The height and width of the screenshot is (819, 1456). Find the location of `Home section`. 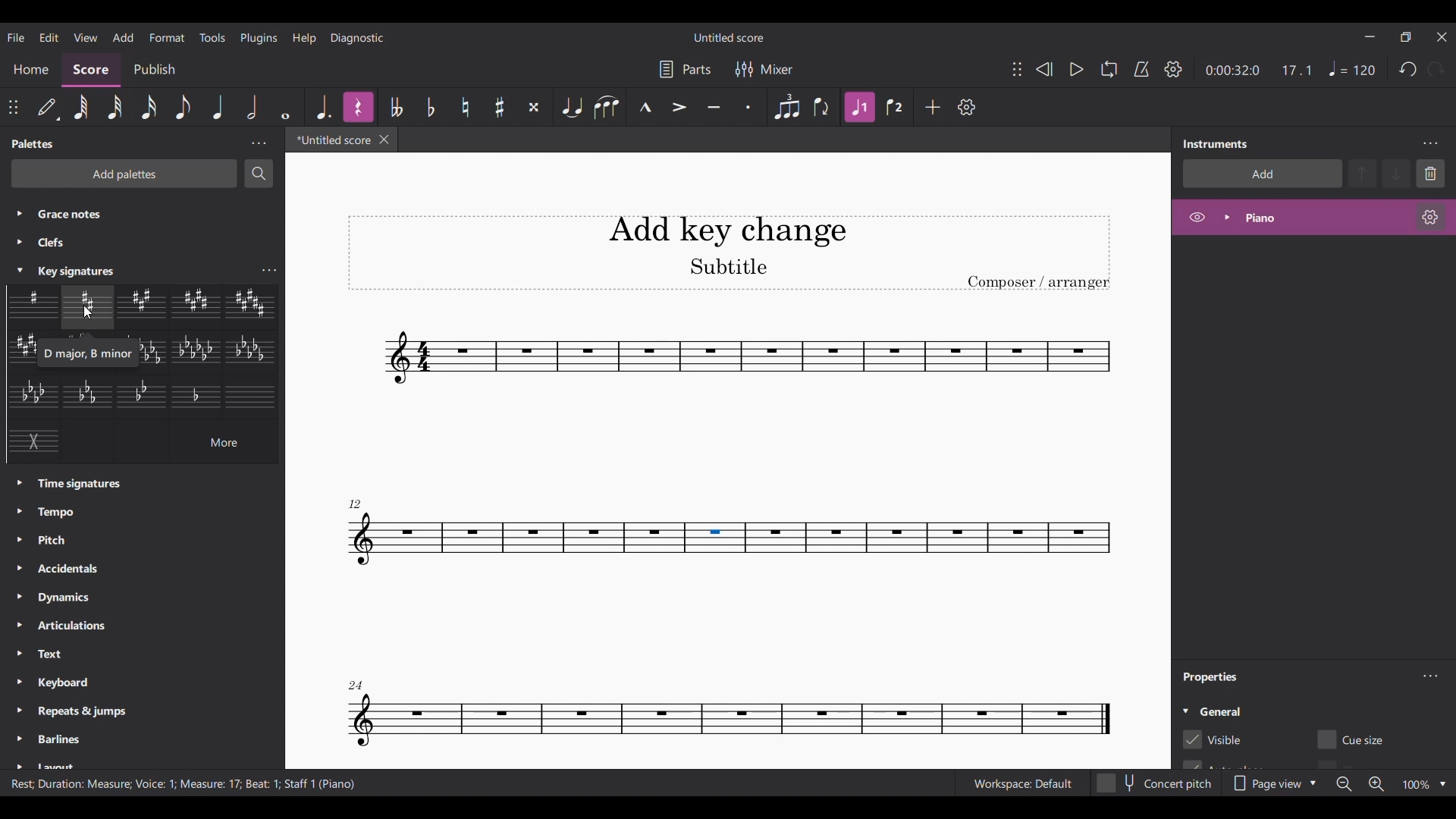

Home section is located at coordinates (31, 73).